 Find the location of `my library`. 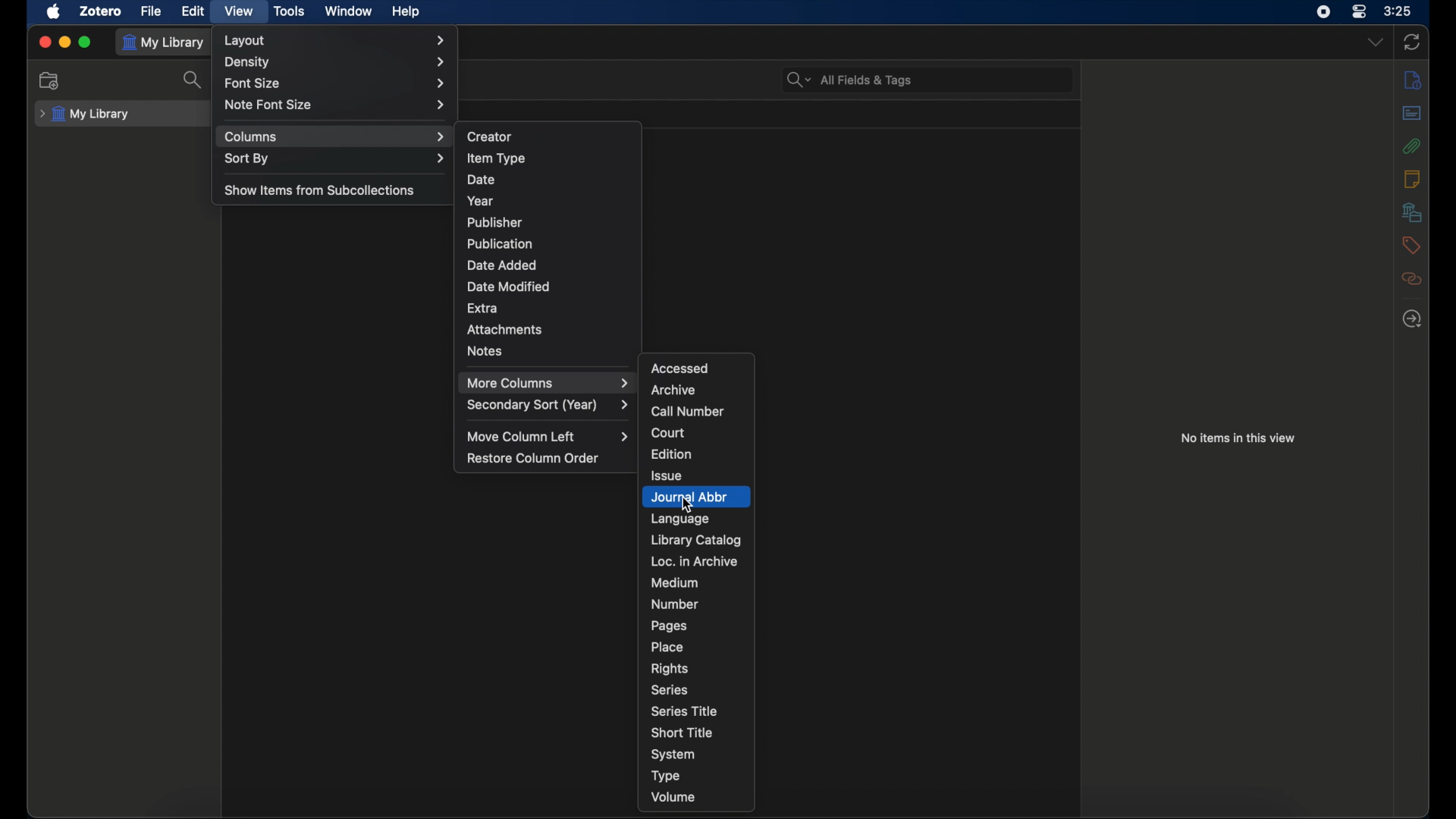

my library is located at coordinates (86, 114).